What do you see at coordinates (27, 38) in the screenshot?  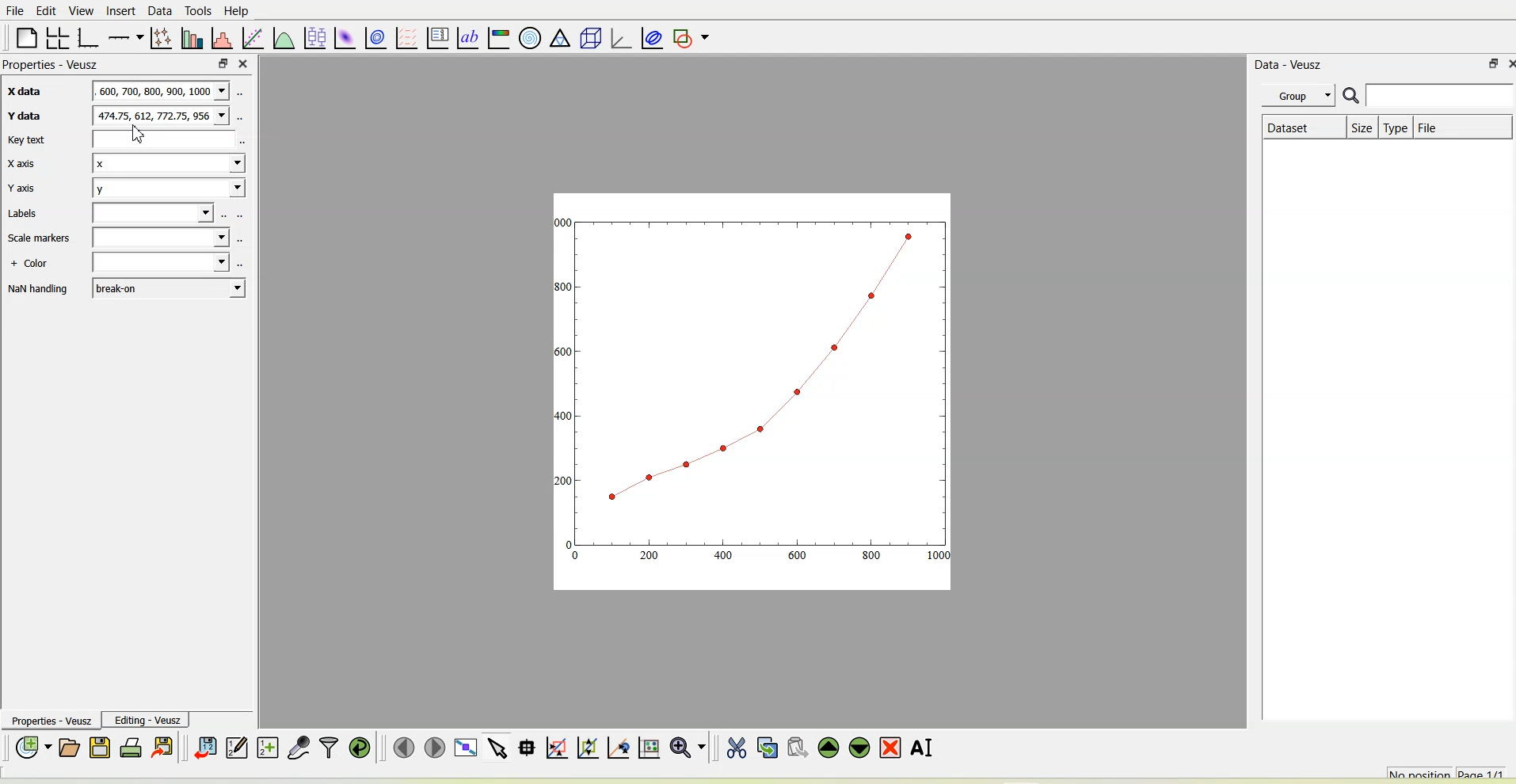 I see `Blank page` at bounding box center [27, 38].